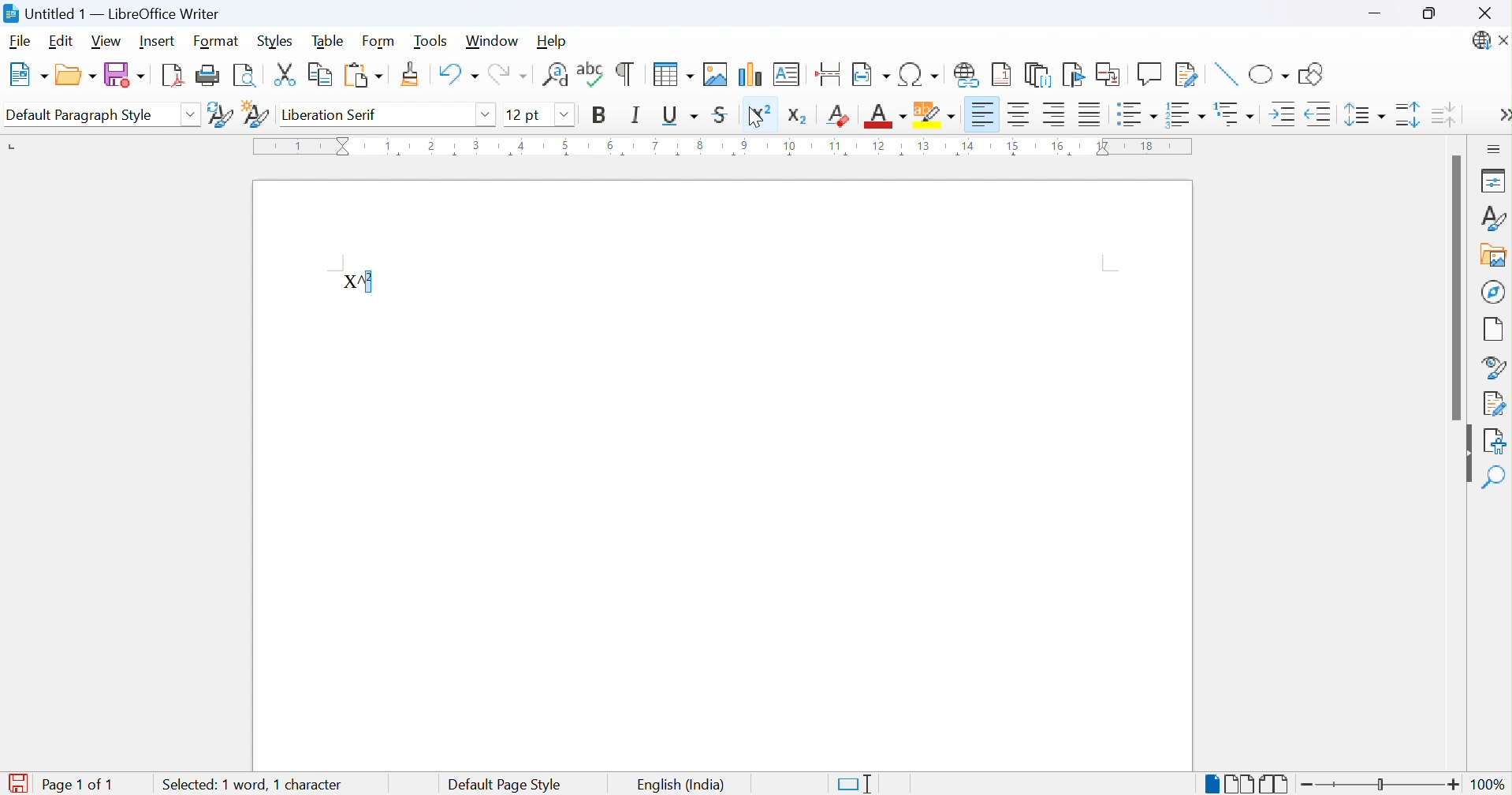 This screenshot has height=795, width=1512. Describe the element at coordinates (381, 39) in the screenshot. I see `Form` at that location.